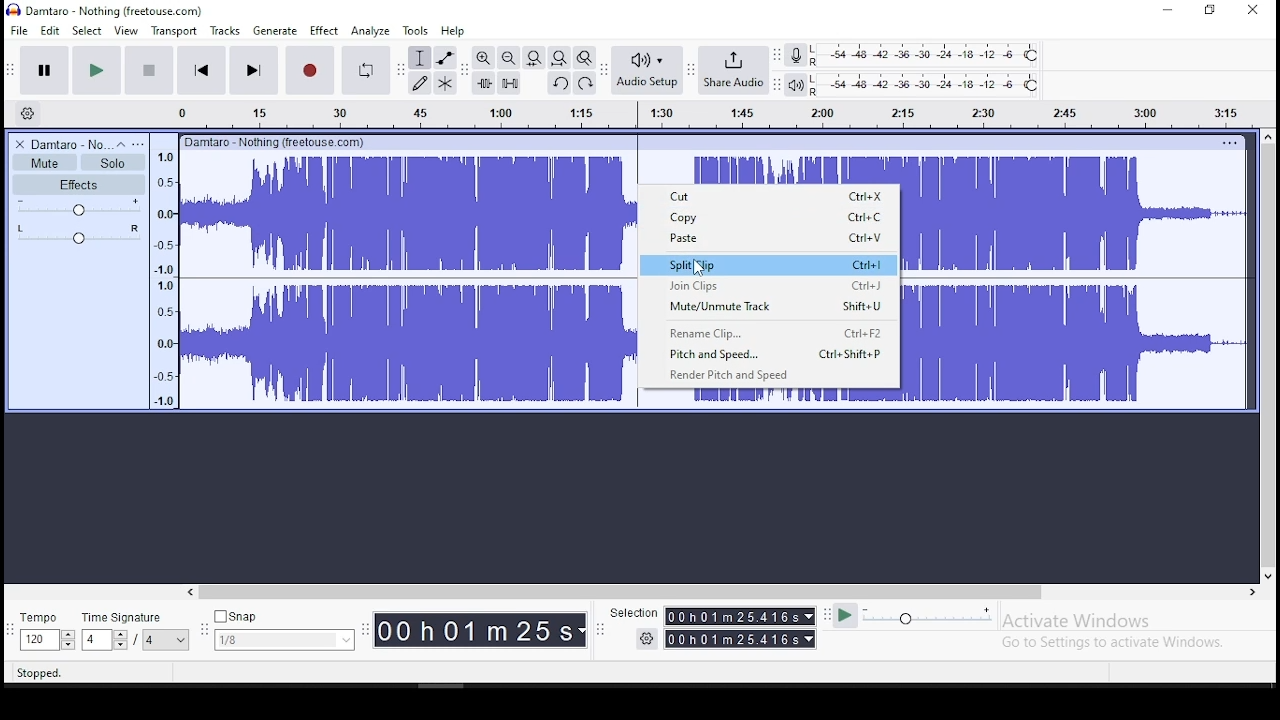  What do you see at coordinates (777, 332) in the screenshot?
I see `Rename clip ctrl+f2` at bounding box center [777, 332].